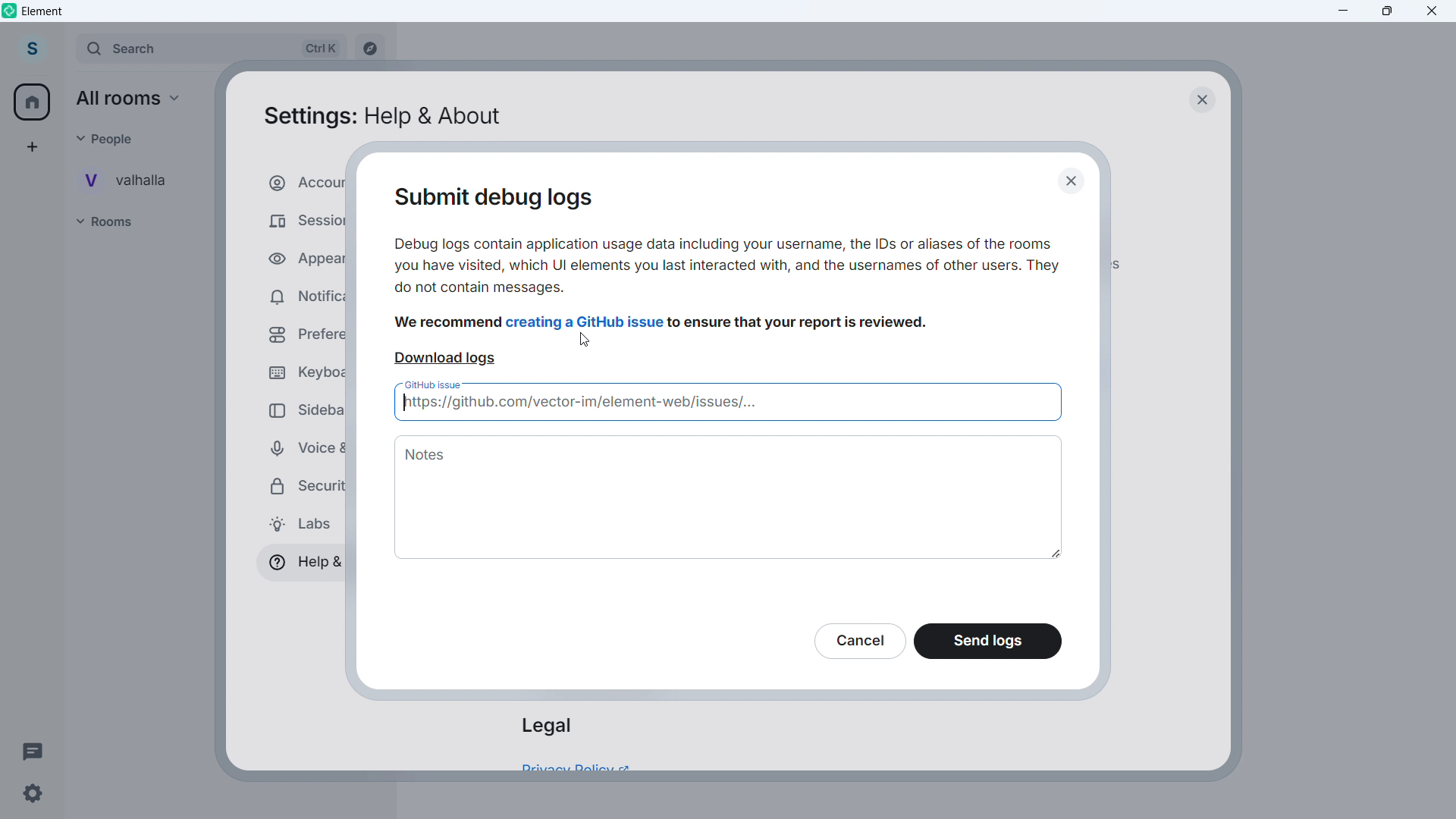 This screenshot has height=819, width=1456. What do you see at coordinates (381, 118) in the screenshot?
I see `Settings: help and above` at bounding box center [381, 118].